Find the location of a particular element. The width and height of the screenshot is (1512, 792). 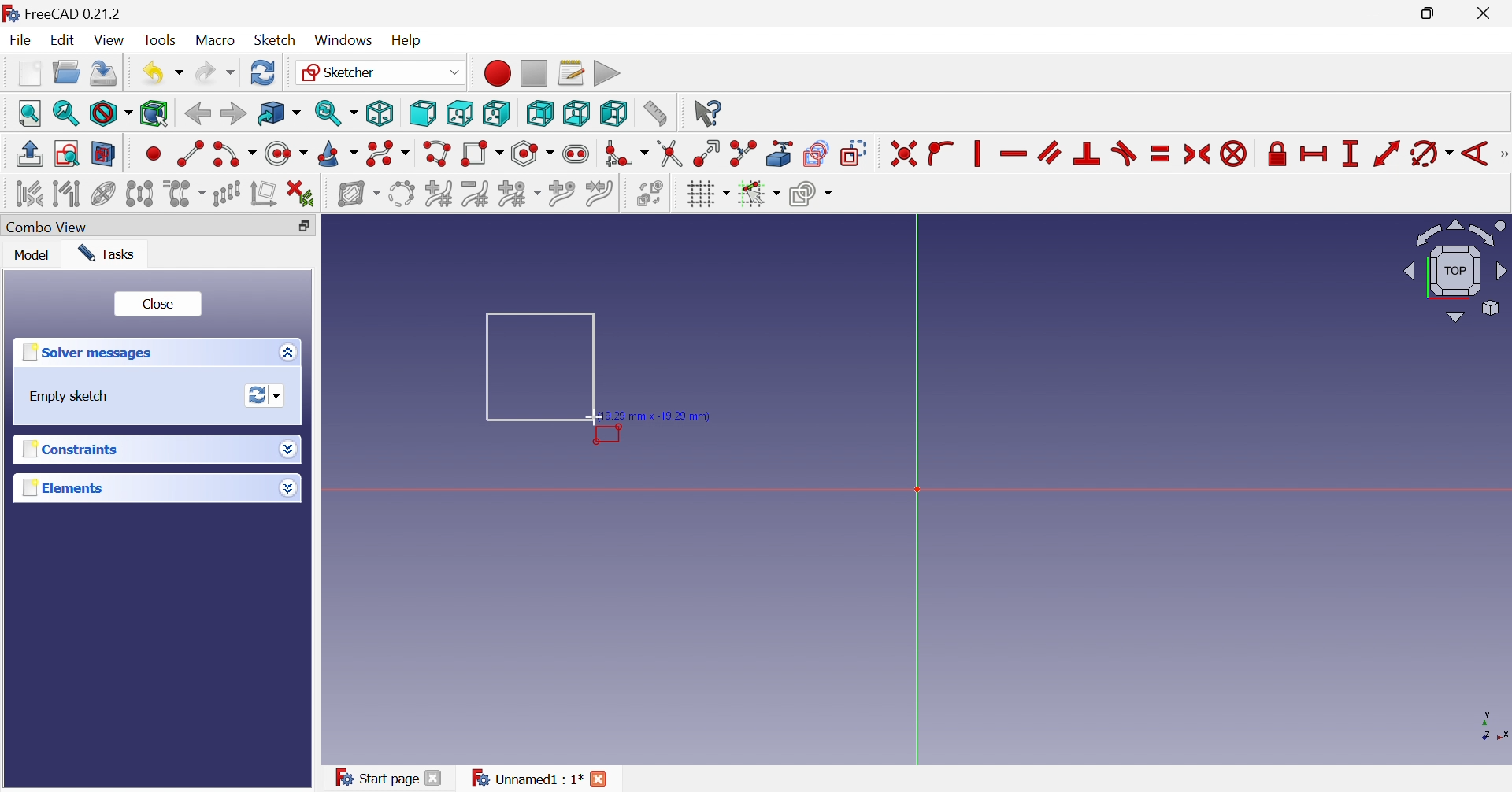

Elements is located at coordinates (62, 488).